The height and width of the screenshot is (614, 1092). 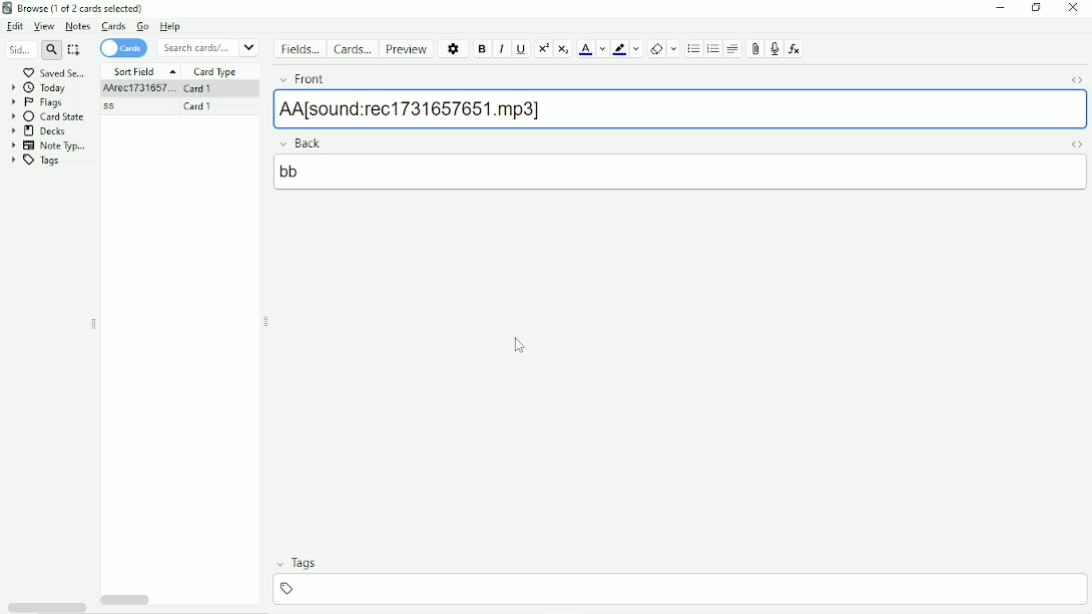 What do you see at coordinates (1074, 7) in the screenshot?
I see `Close` at bounding box center [1074, 7].